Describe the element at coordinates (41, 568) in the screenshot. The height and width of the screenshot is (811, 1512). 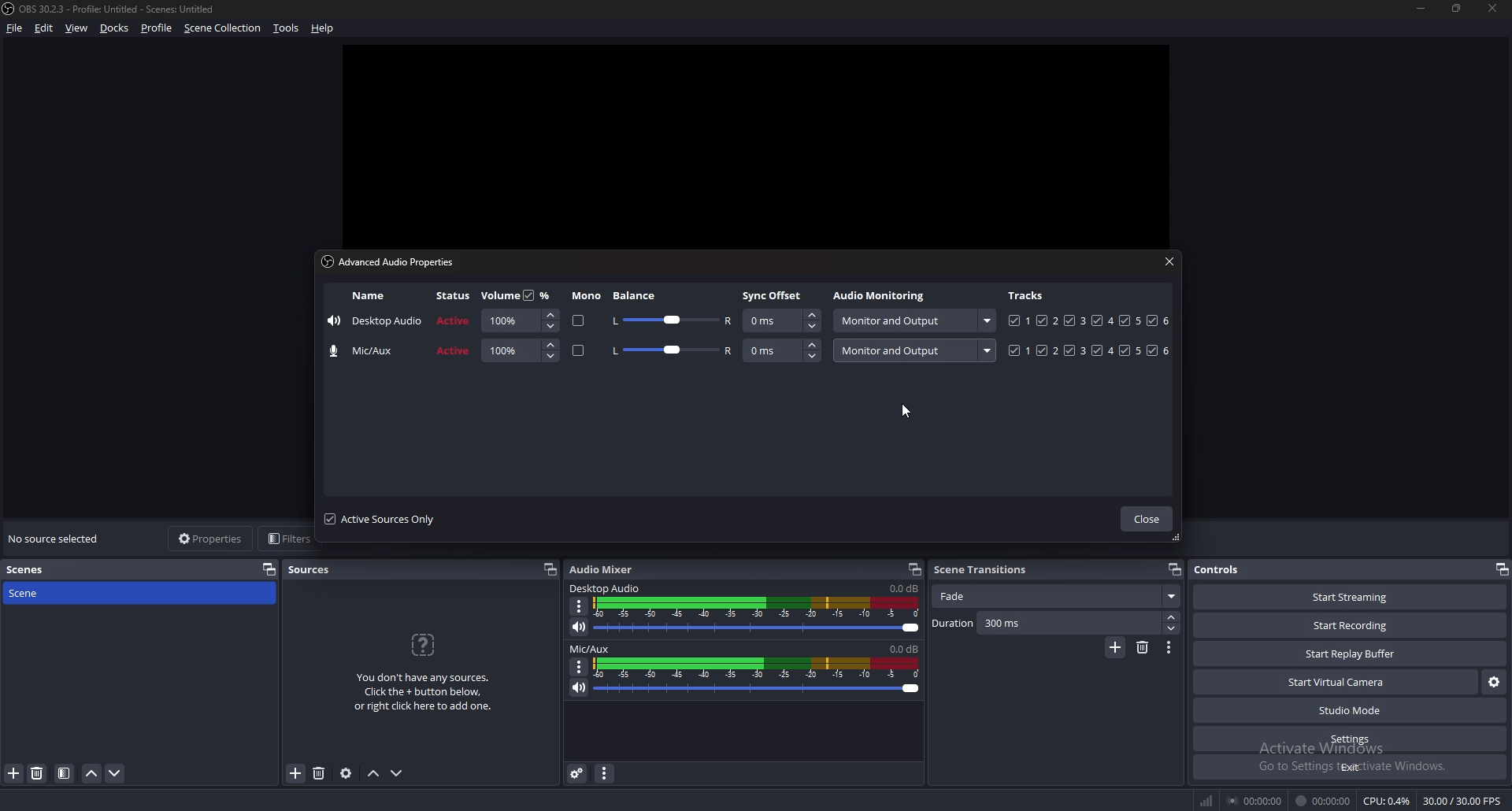
I see `scenes` at that location.